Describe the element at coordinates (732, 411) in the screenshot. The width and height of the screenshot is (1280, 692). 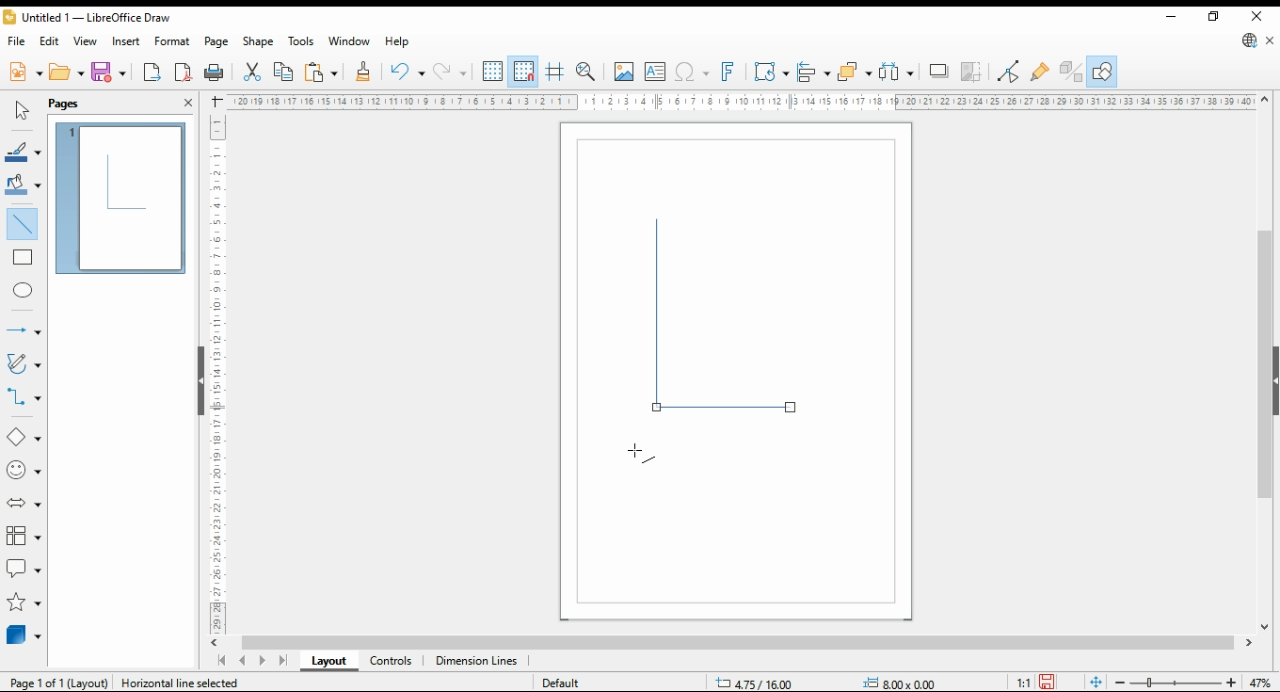
I see `line shape` at that location.